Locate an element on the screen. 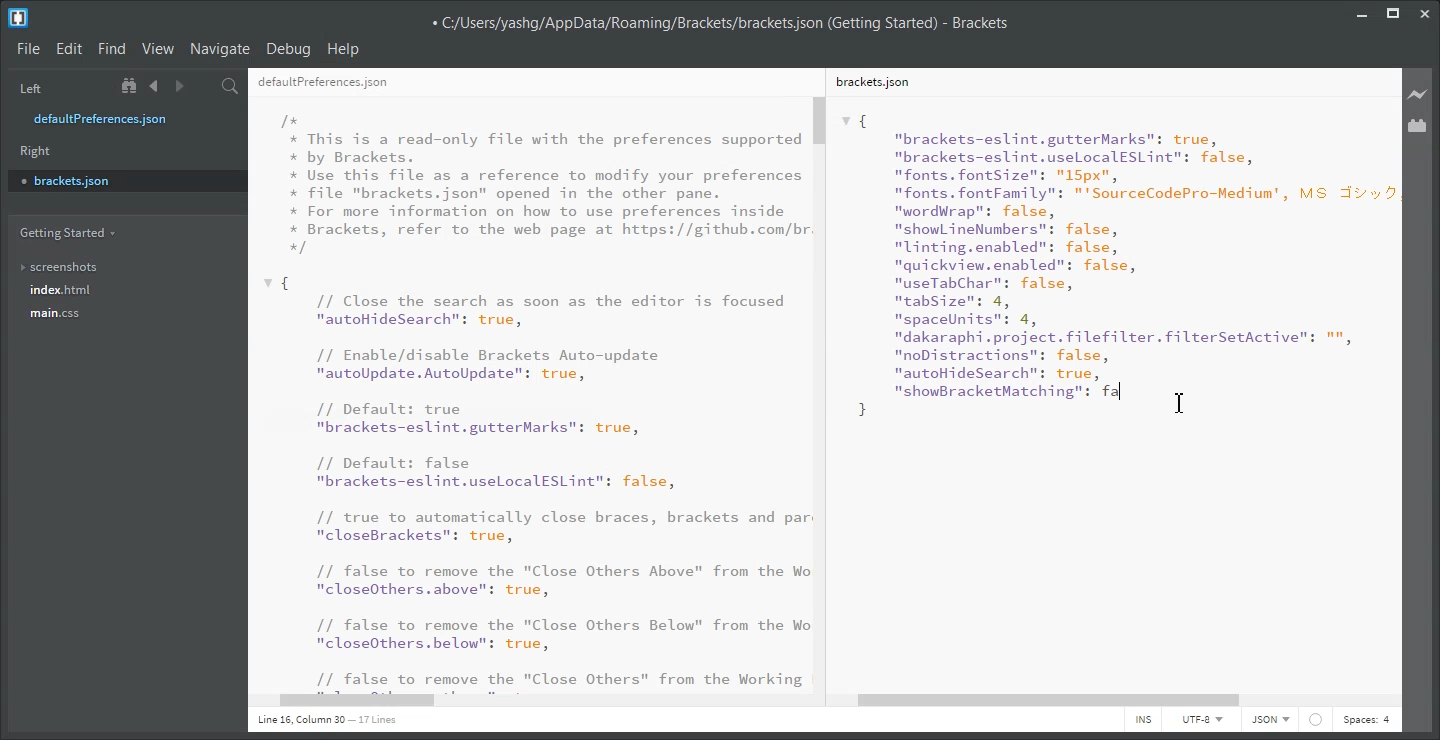  View is located at coordinates (158, 49).